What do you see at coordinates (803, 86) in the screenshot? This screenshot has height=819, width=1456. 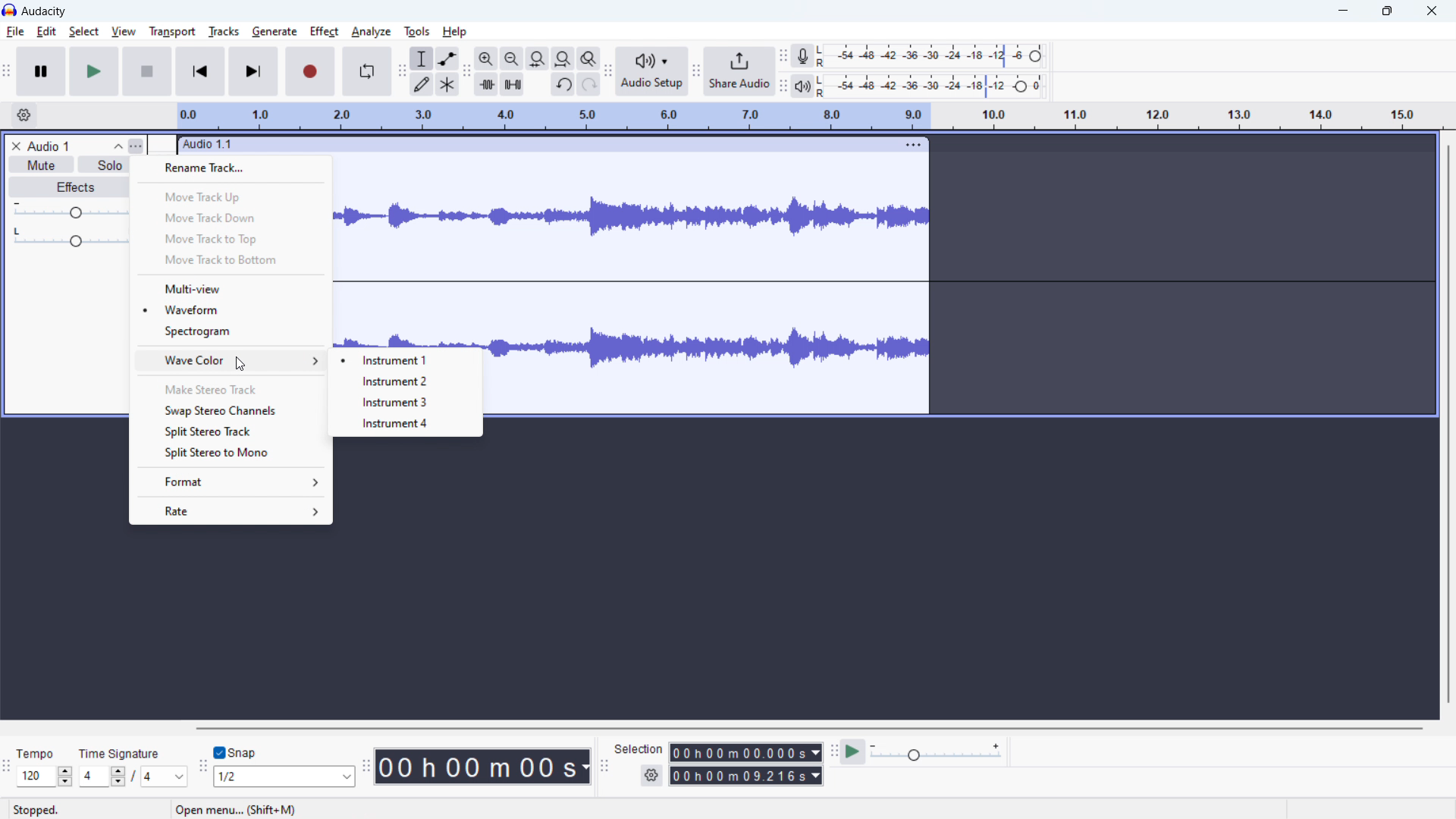 I see `playback meter` at bounding box center [803, 86].